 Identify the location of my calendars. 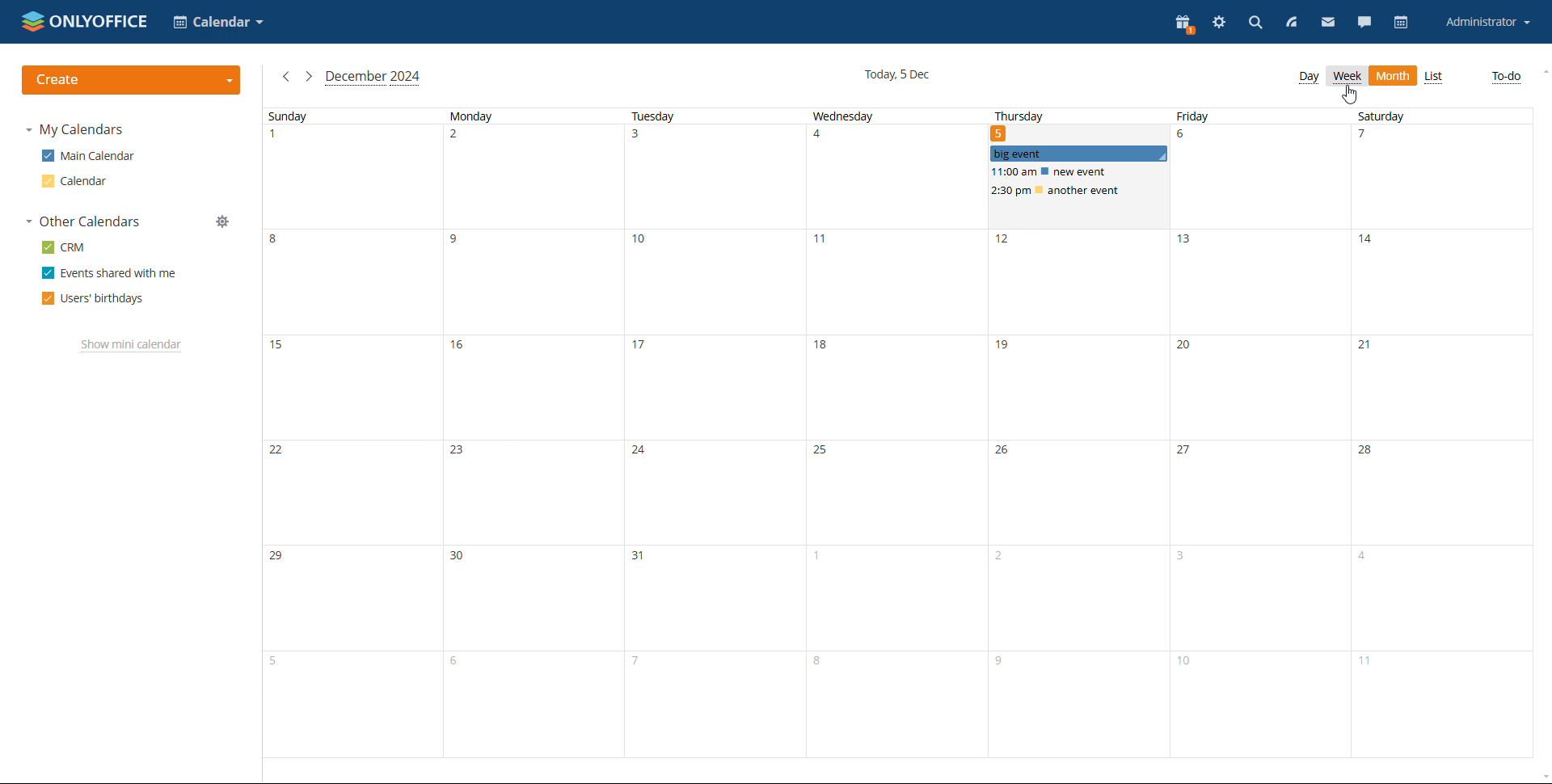
(76, 129).